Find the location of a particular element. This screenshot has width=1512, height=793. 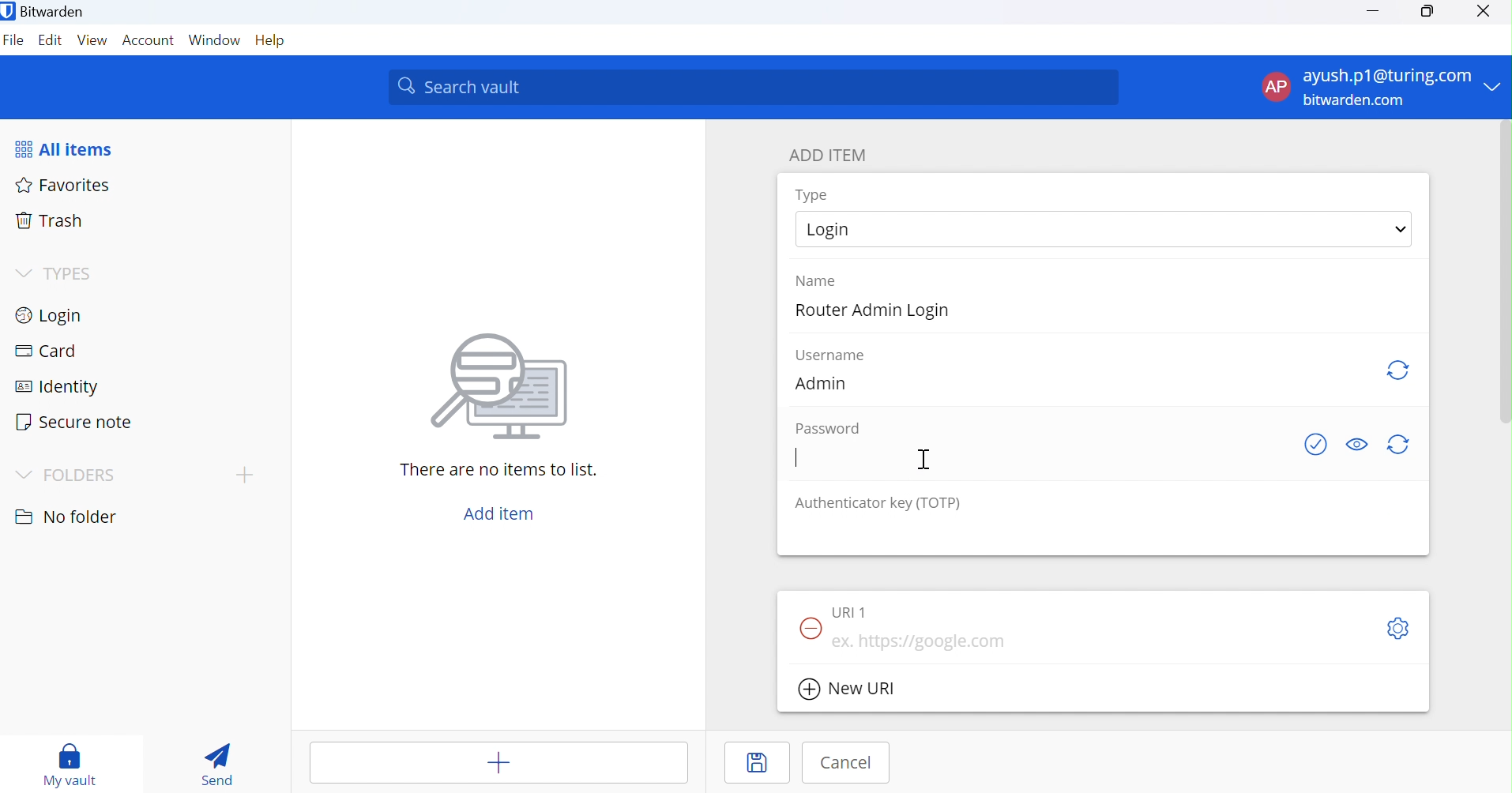

Secure note is located at coordinates (77, 421).